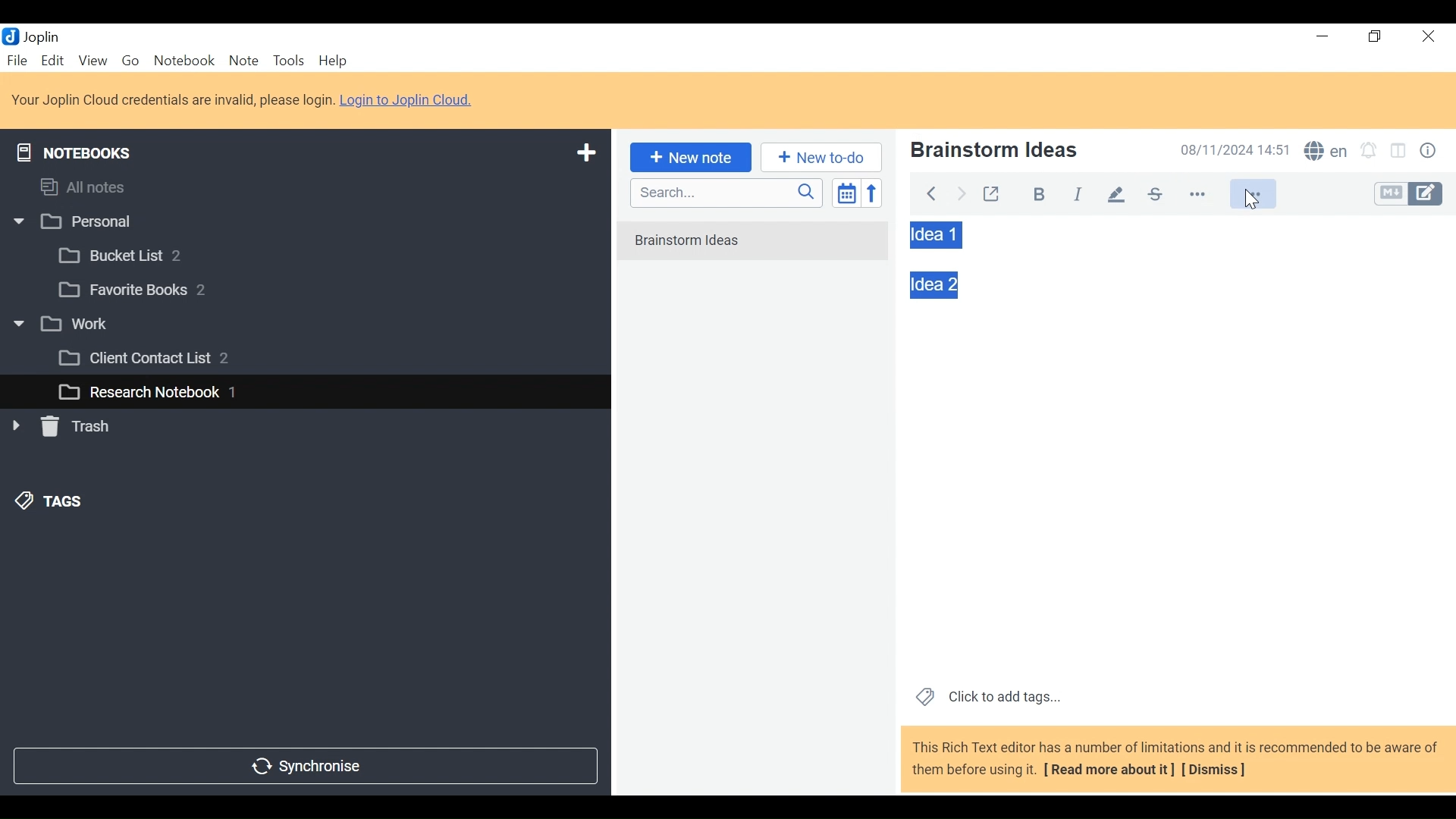  I want to click on Edit, so click(54, 60).